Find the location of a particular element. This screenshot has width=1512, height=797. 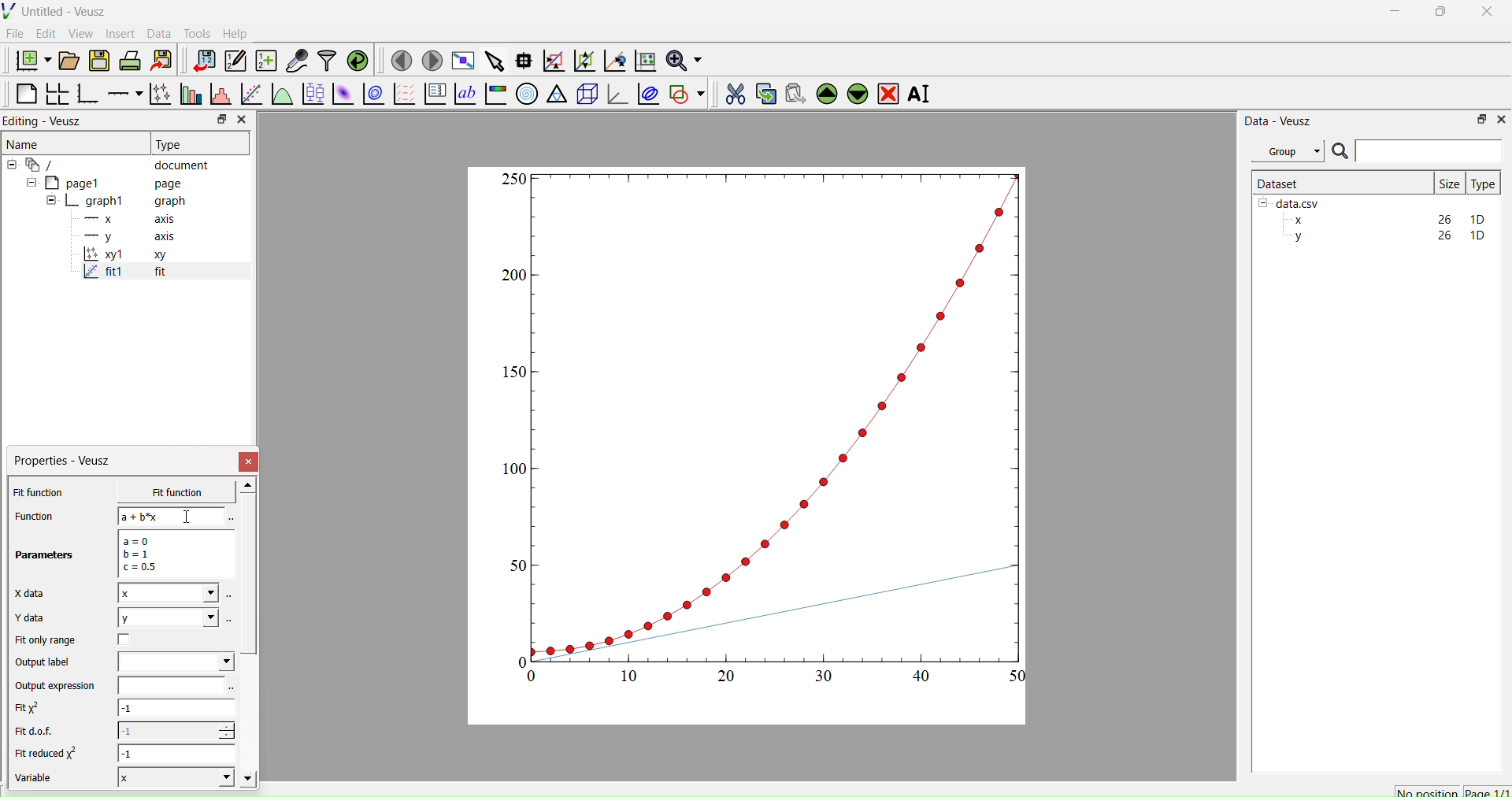

Scroll  is located at coordinates (249, 634).